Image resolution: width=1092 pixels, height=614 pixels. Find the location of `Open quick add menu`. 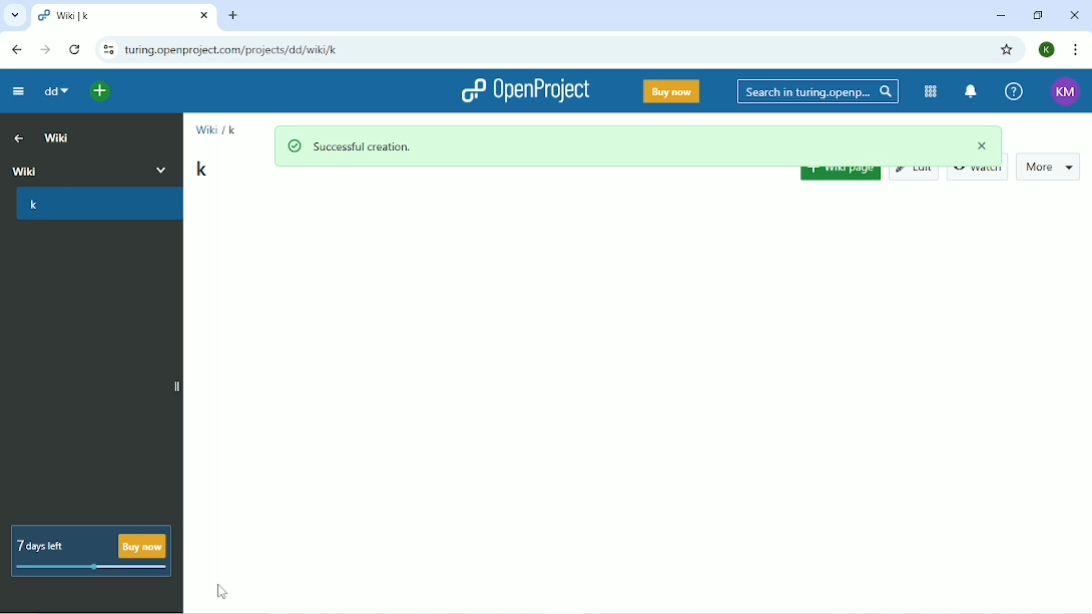

Open quick add menu is located at coordinates (101, 93).